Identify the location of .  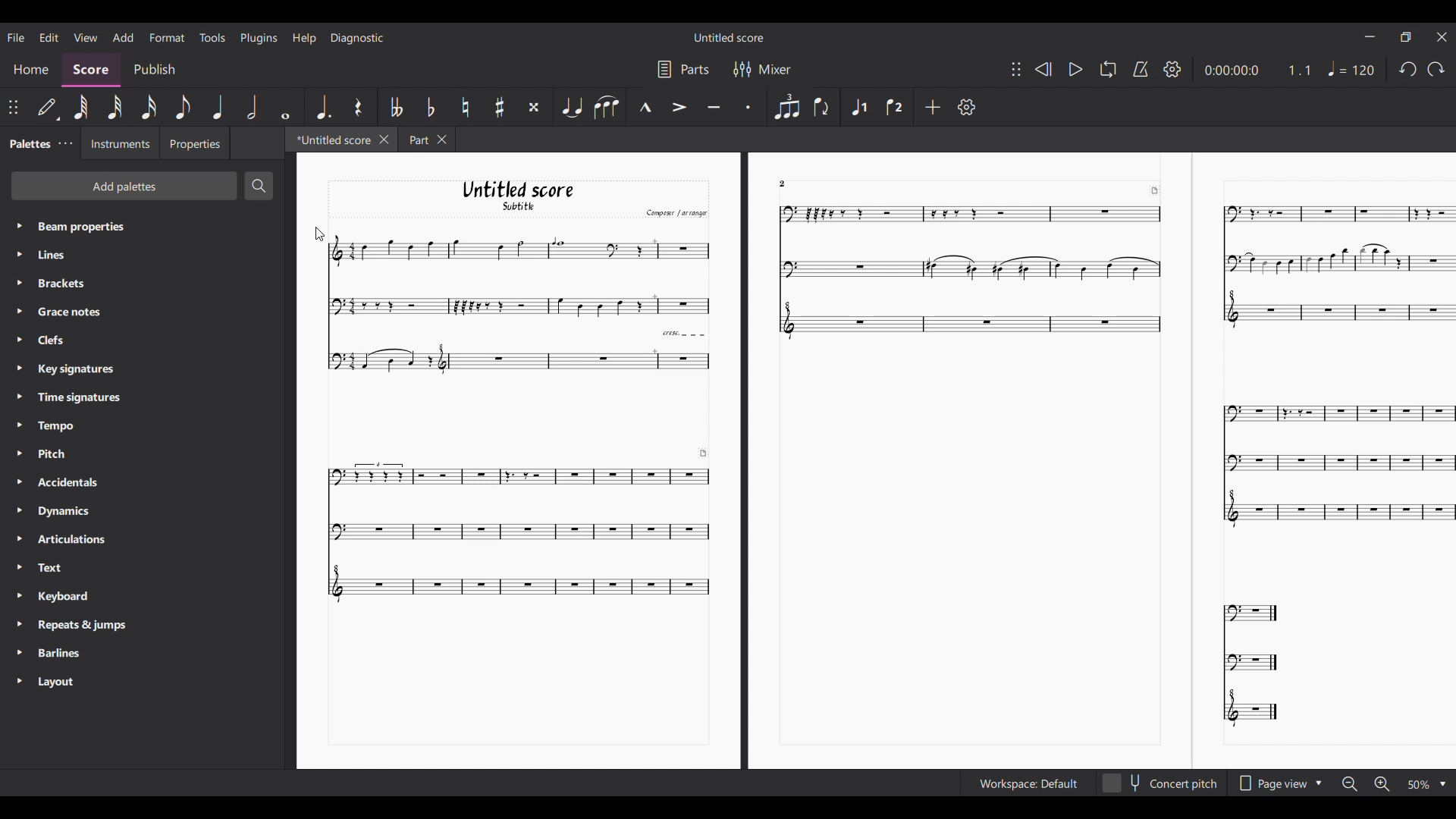
(664, 67).